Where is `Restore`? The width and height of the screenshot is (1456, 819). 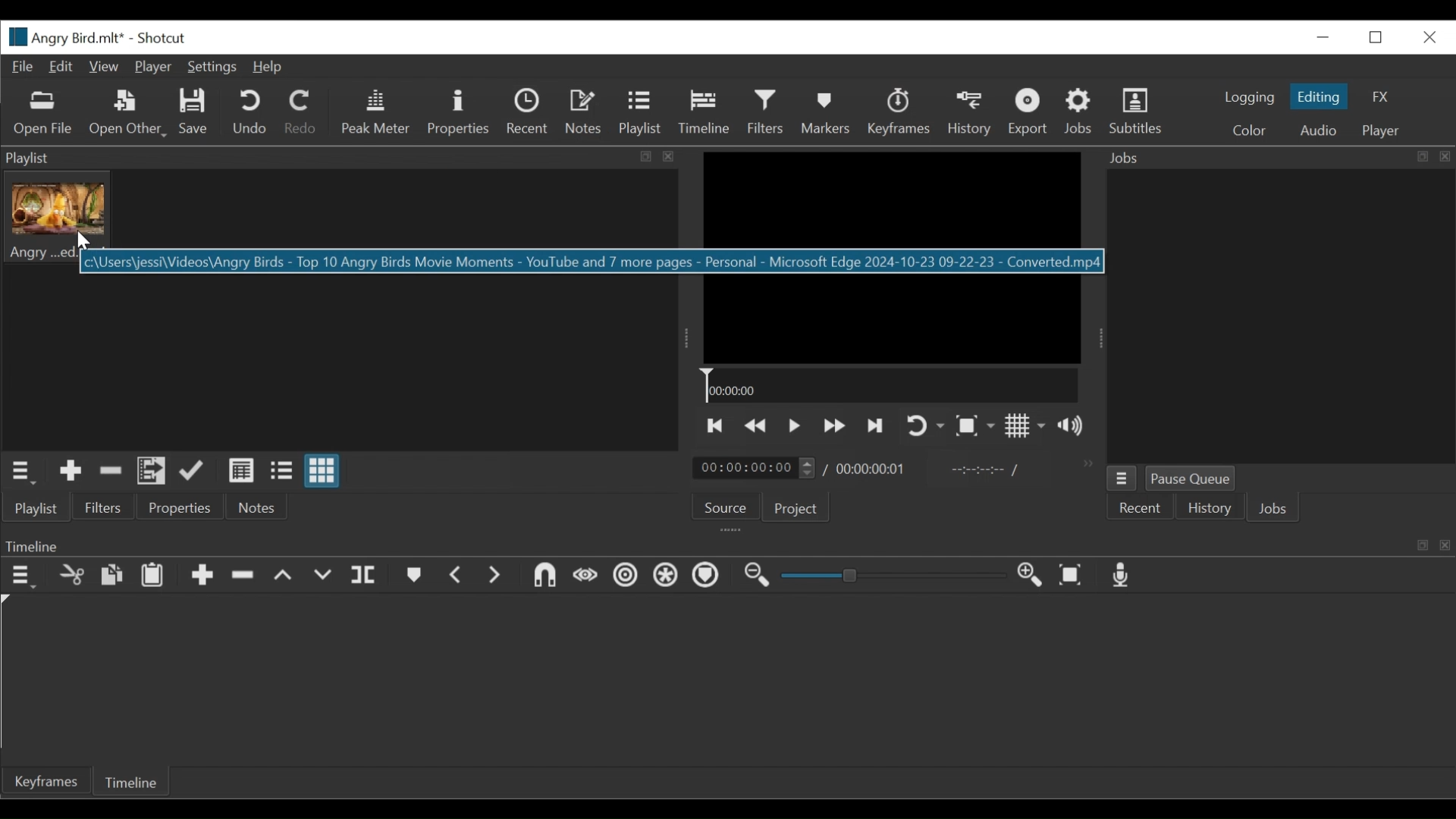
Restore is located at coordinates (1377, 39).